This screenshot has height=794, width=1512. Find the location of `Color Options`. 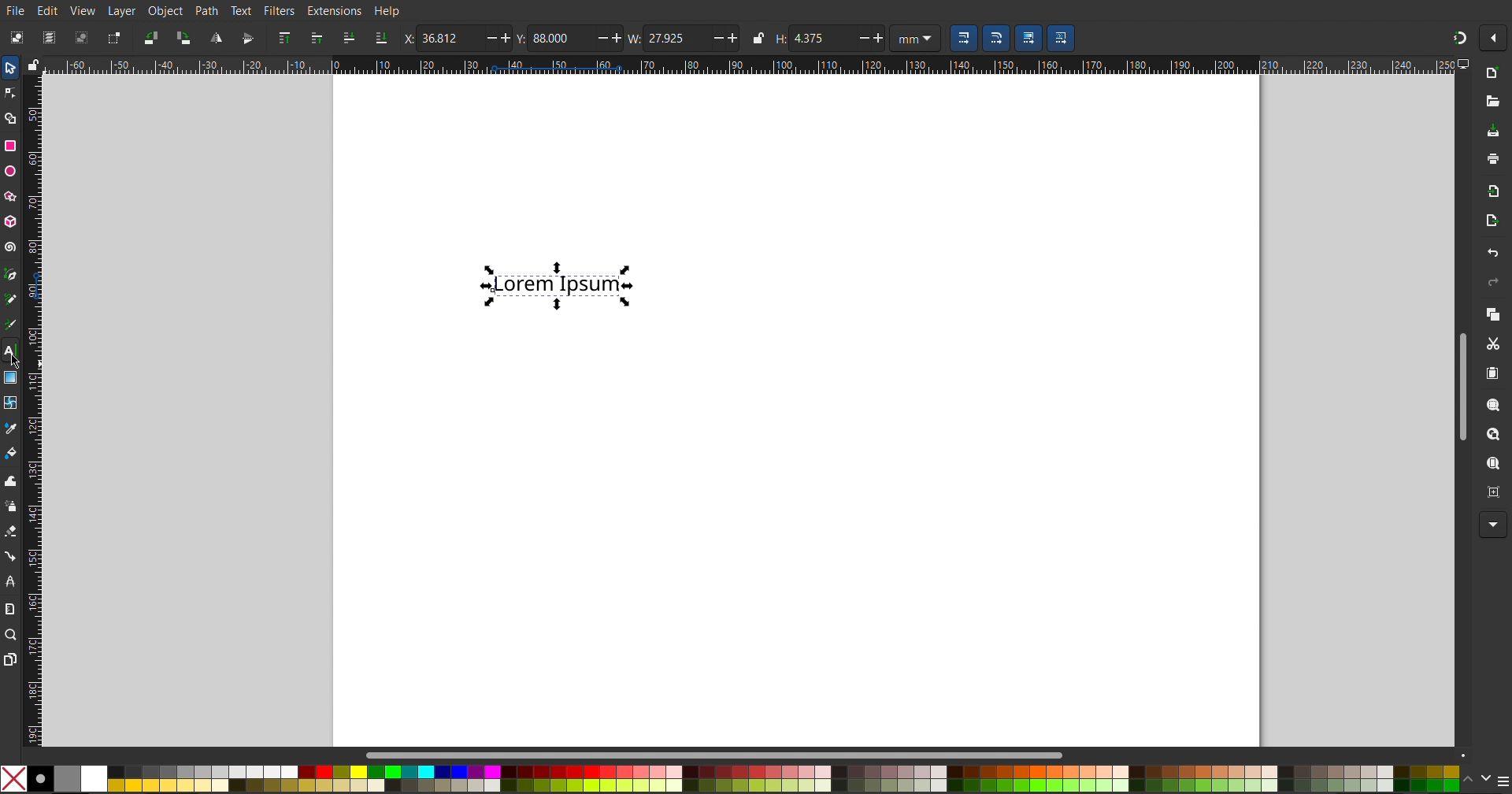

Color Options is located at coordinates (1484, 778).